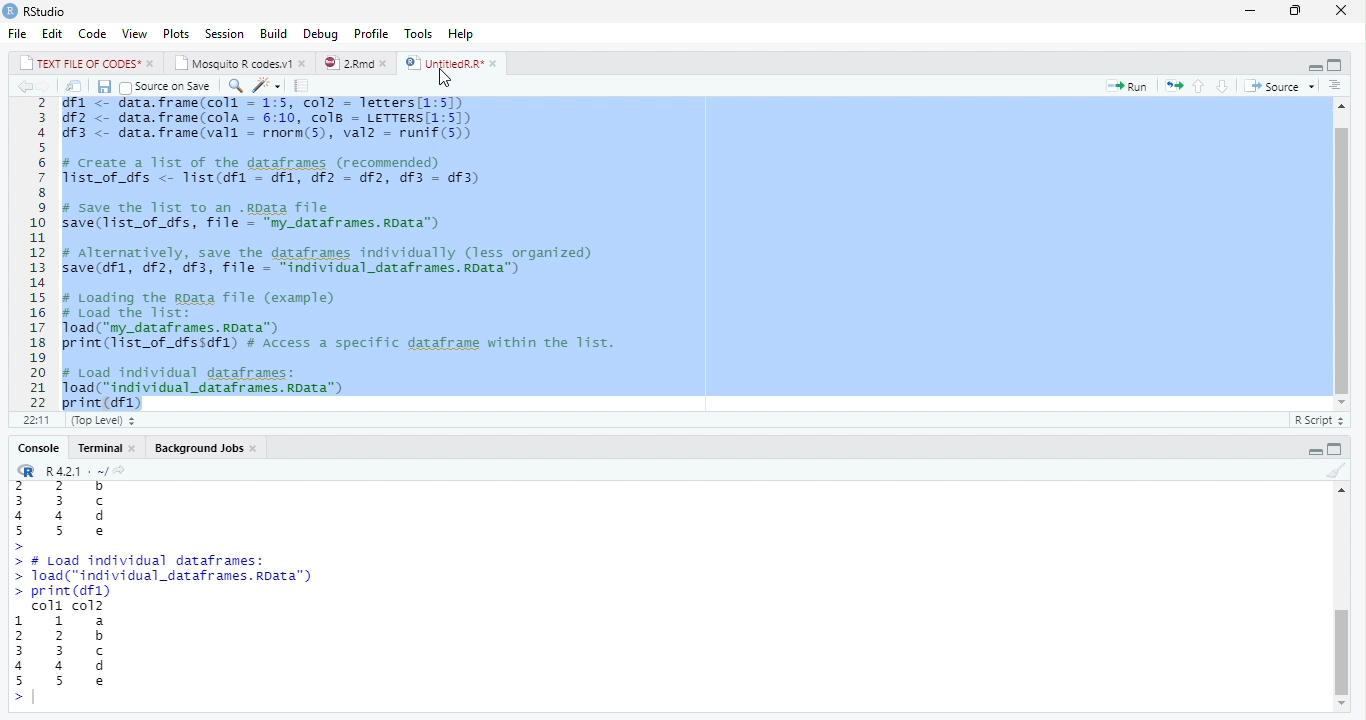 The image size is (1366, 720). I want to click on Mouse Cursor, so click(448, 77).